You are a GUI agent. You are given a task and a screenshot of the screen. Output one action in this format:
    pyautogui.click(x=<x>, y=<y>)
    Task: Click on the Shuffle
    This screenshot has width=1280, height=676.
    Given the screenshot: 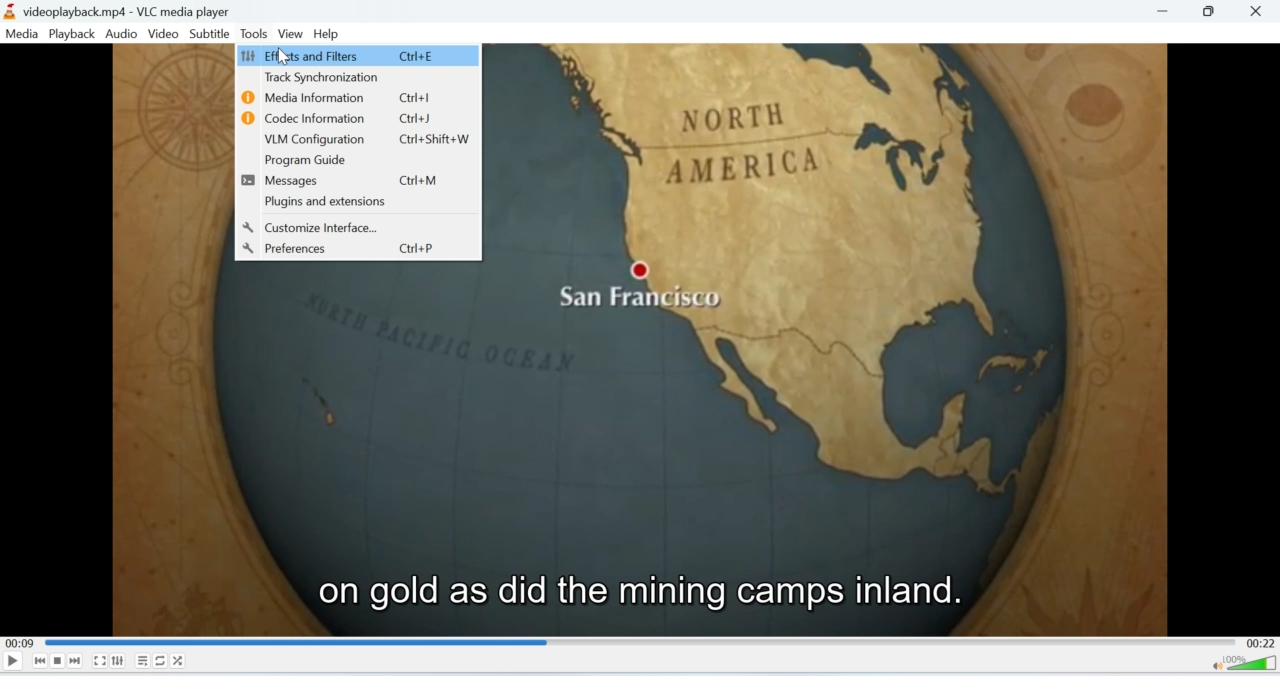 What is the action you would take?
    pyautogui.click(x=178, y=661)
    